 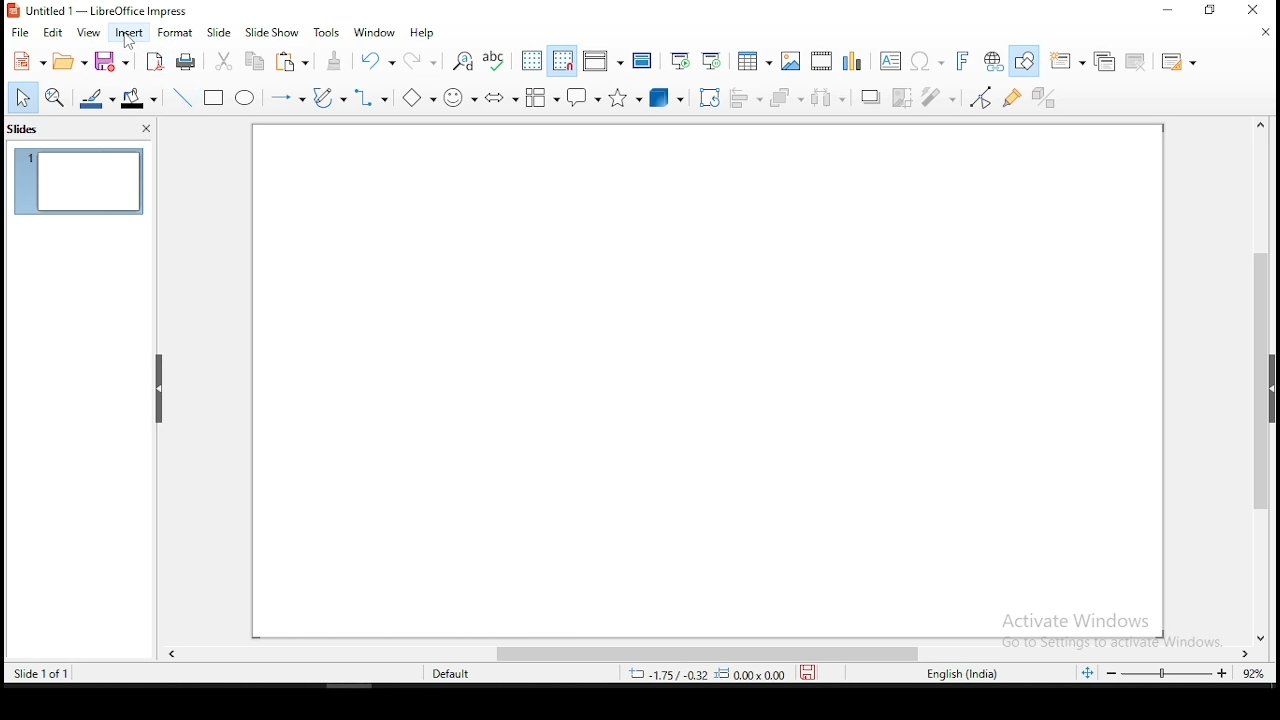 What do you see at coordinates (142, 98) in the screenshot?
I see `fill color` at bounding box center [142, 98].